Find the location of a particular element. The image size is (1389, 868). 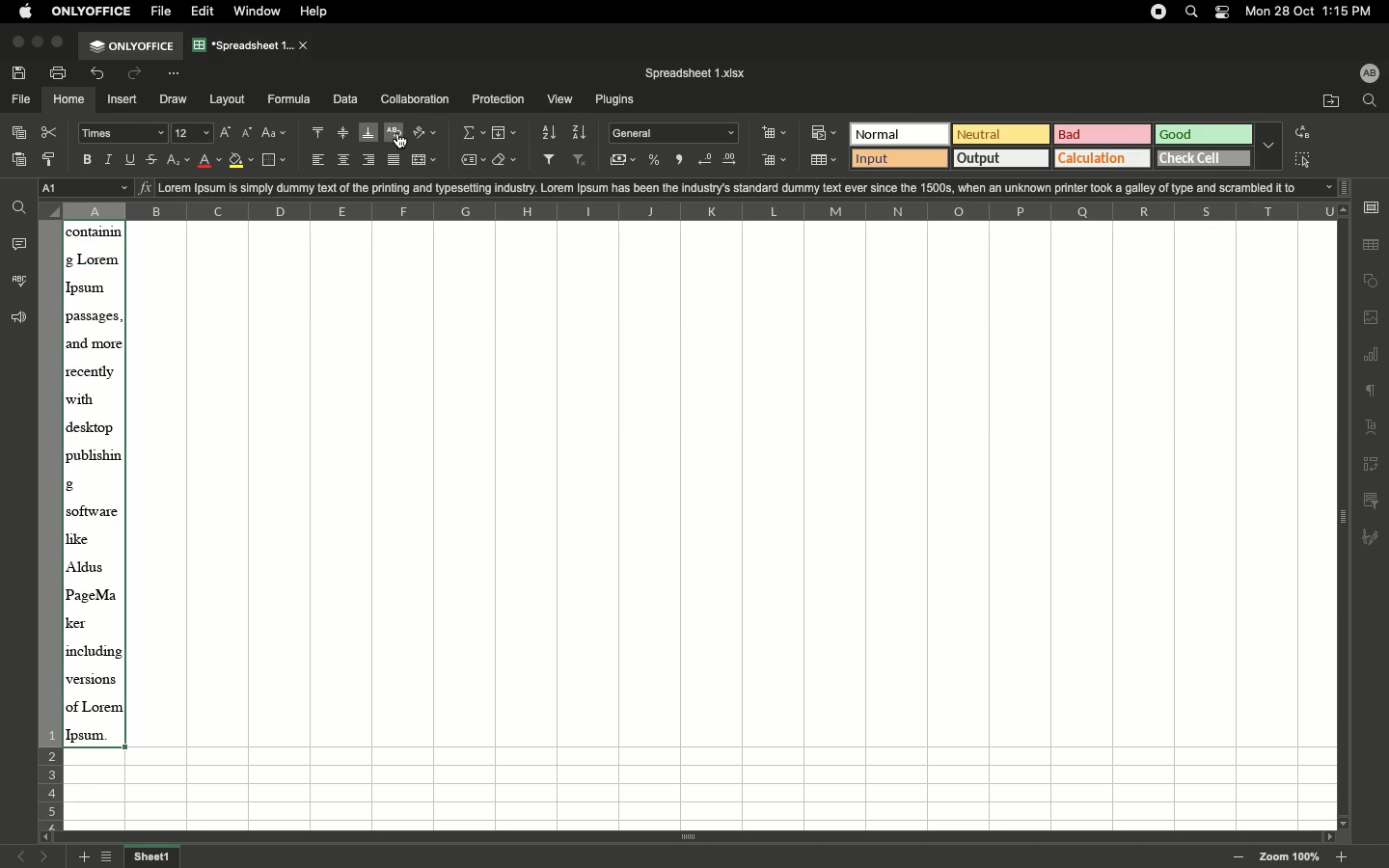

Name manager is located at coordinates (86, 188).